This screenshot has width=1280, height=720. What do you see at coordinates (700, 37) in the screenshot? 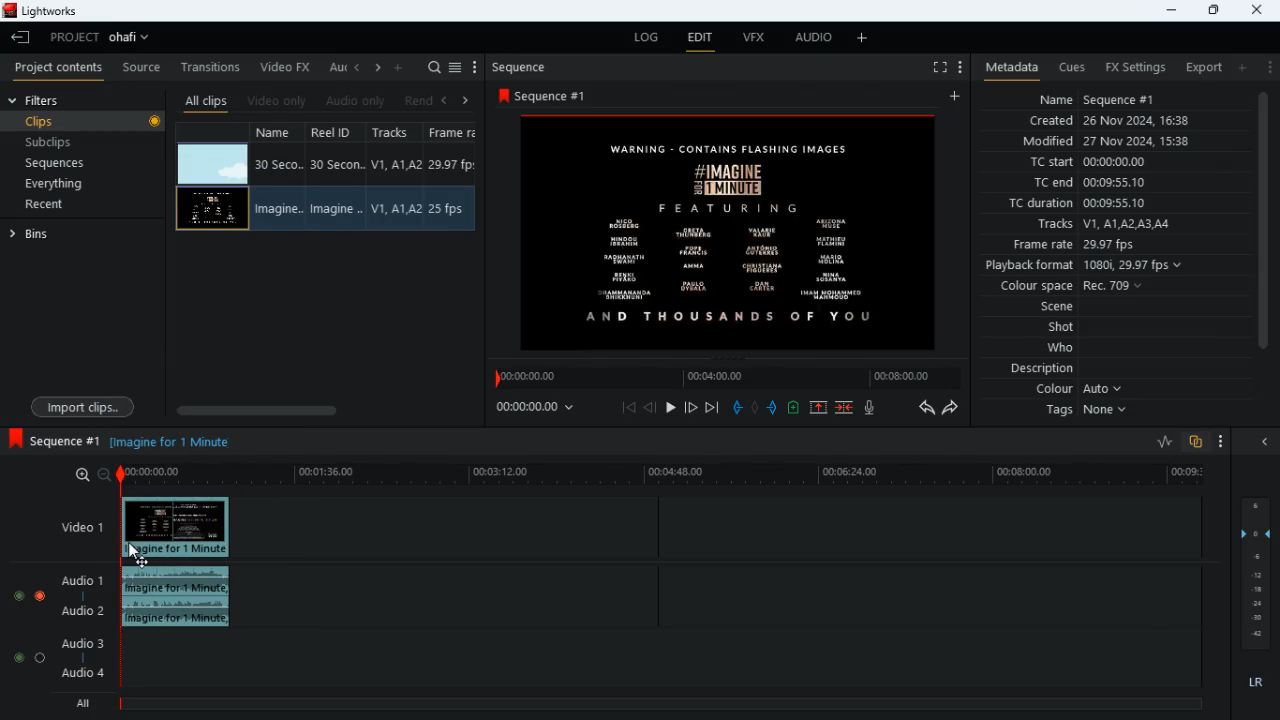
I see `edit` at bounding box center [700, 37].